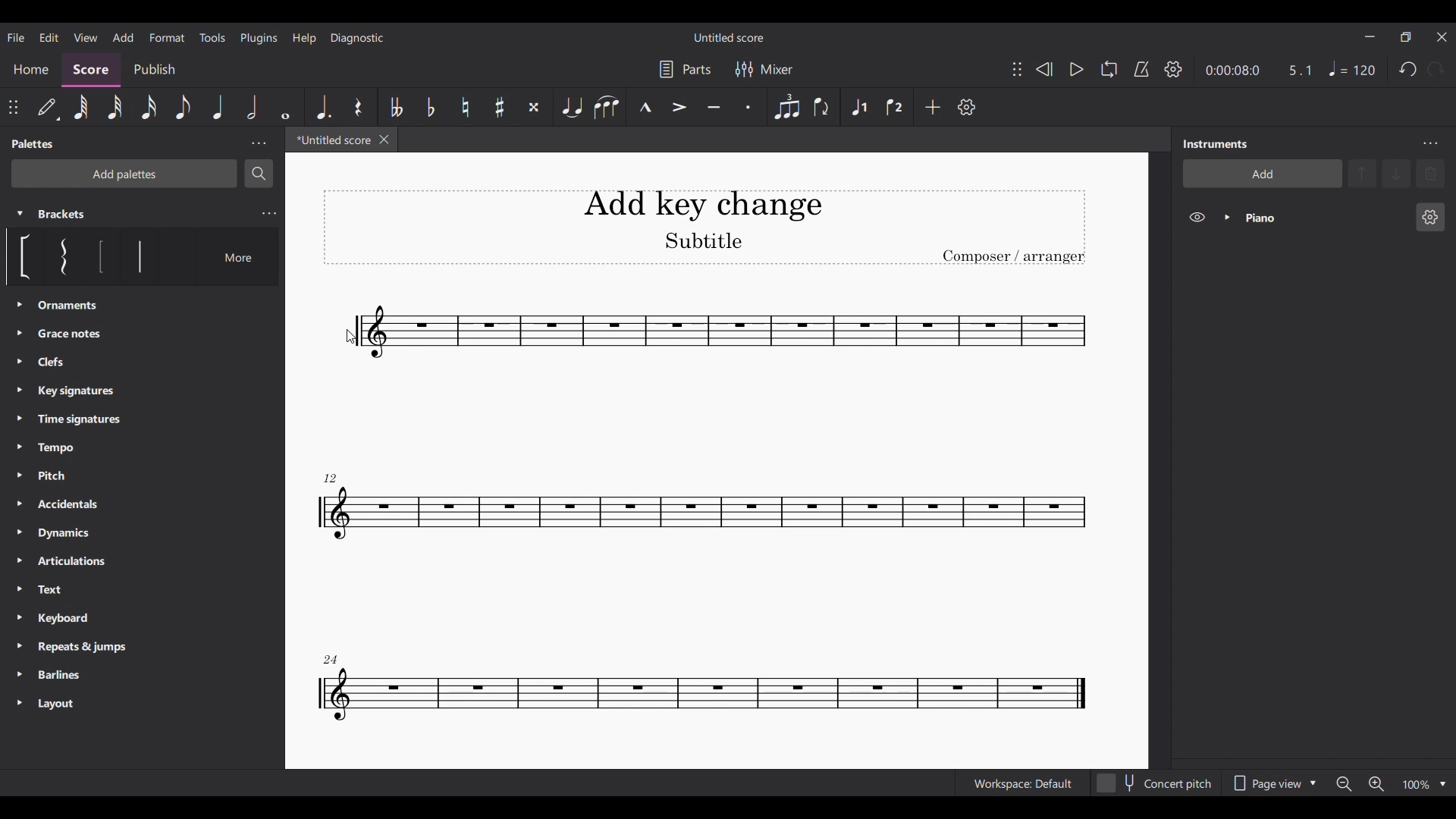 The image size is (1456, 819). Describe the element at coordinates (1362, 174) in the screenshot. I see `Move above` at that location.